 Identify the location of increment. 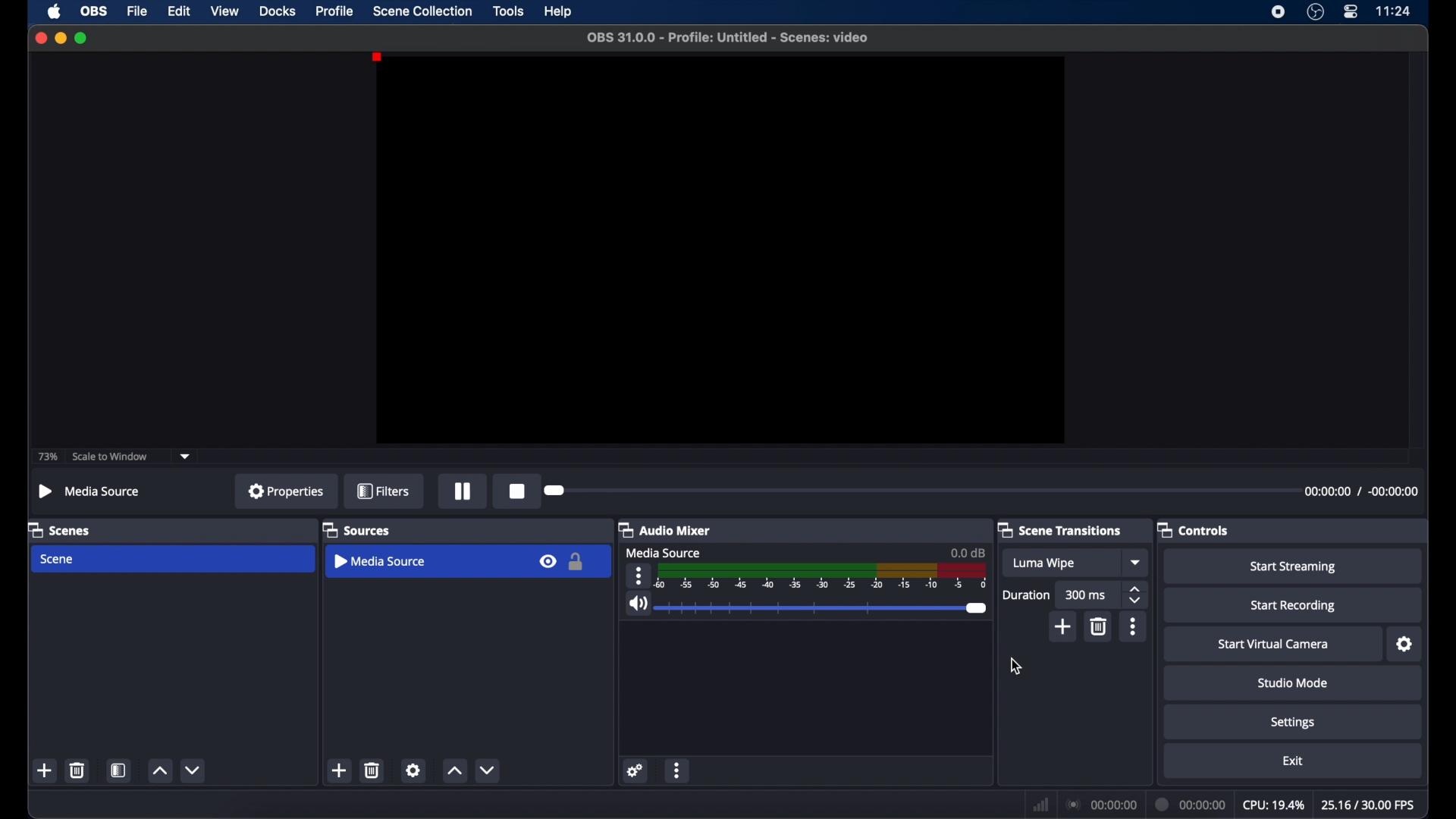
(454, 771).